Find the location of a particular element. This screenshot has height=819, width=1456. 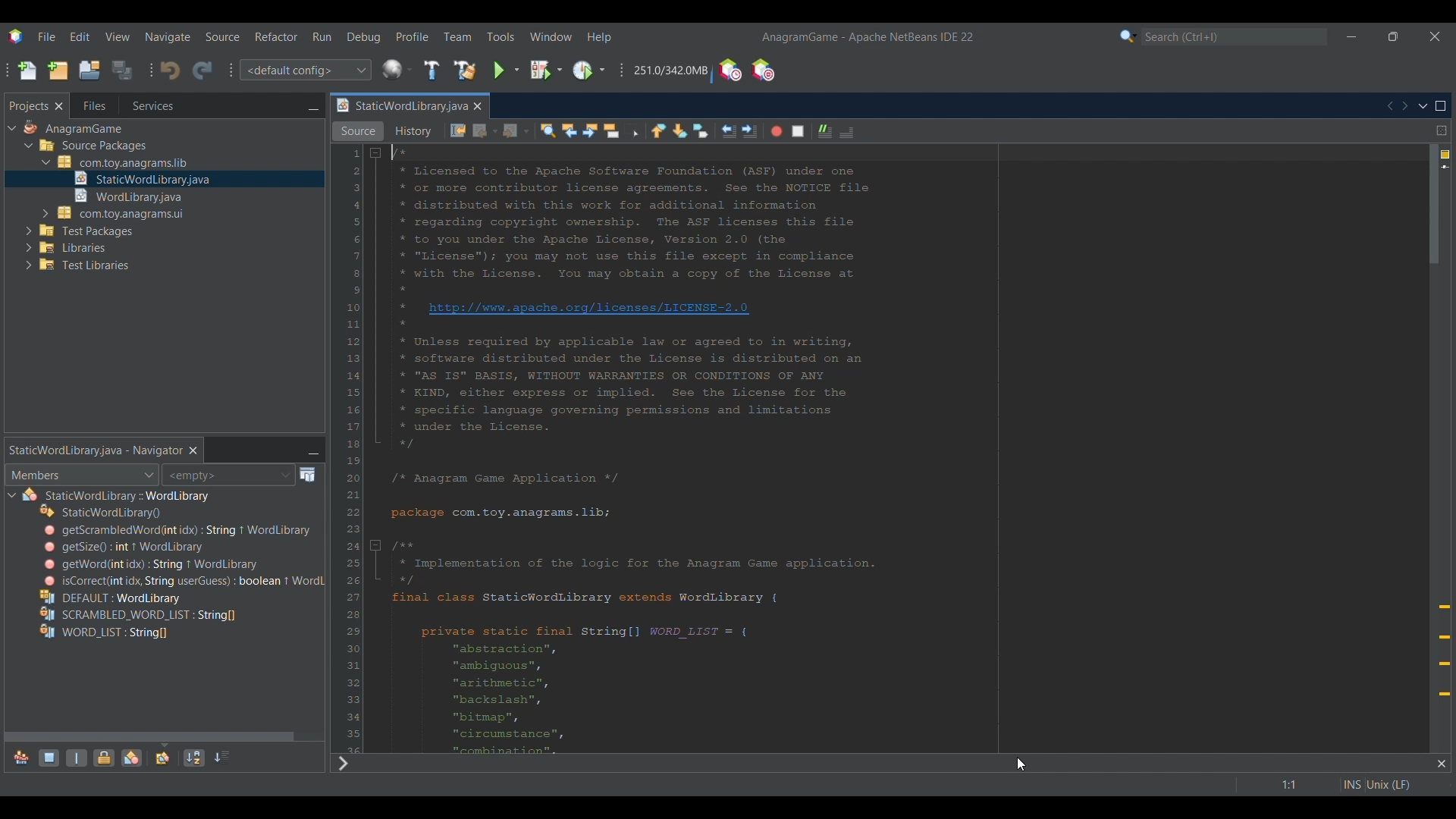

Current tab highlighted is located at coordinates (400, 105).